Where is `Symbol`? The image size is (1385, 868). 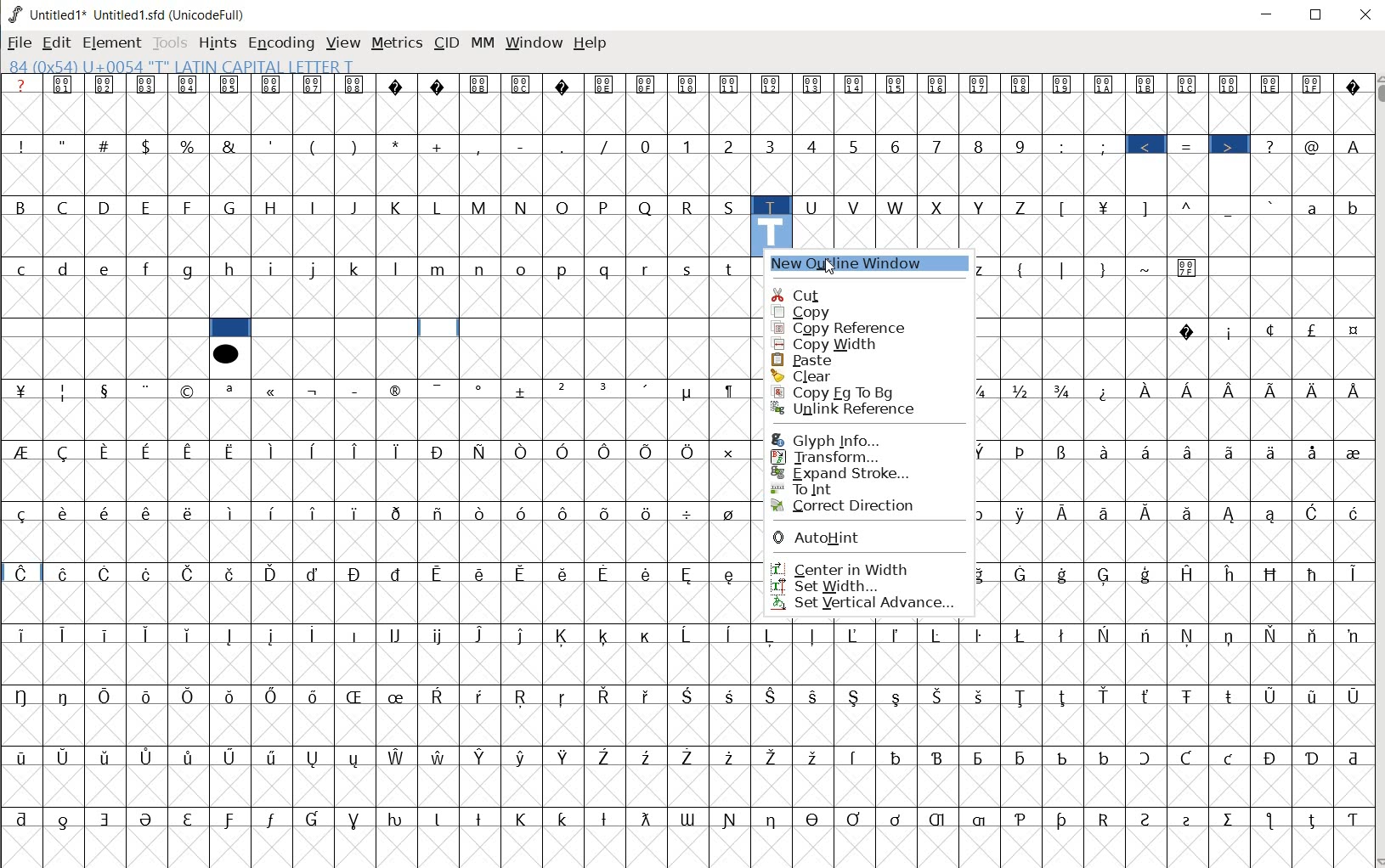 Symbol is located at coordinates (273, 391).